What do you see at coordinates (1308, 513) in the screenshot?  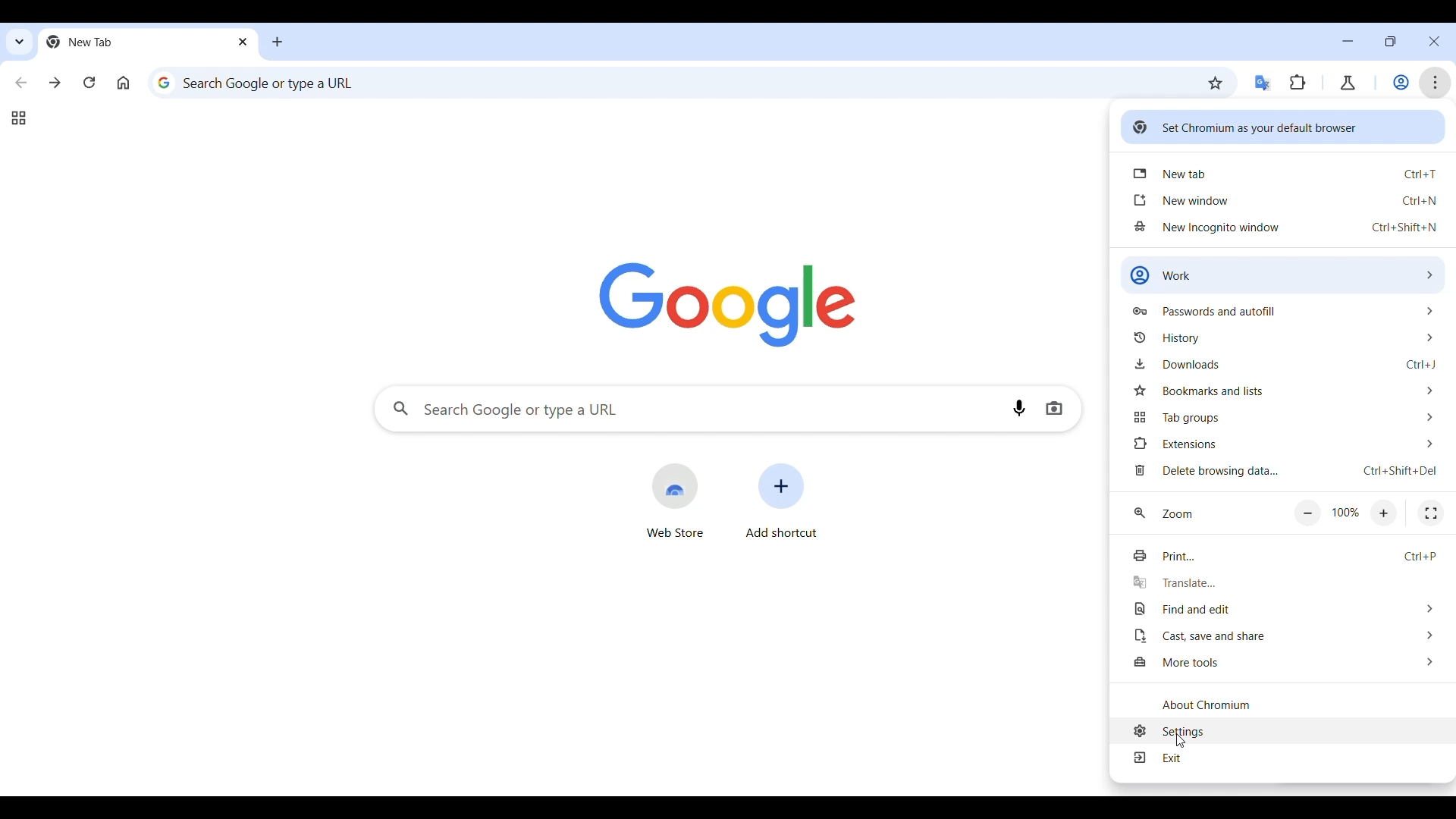 I see `Zoom out` at bounding box center [1308, 513].